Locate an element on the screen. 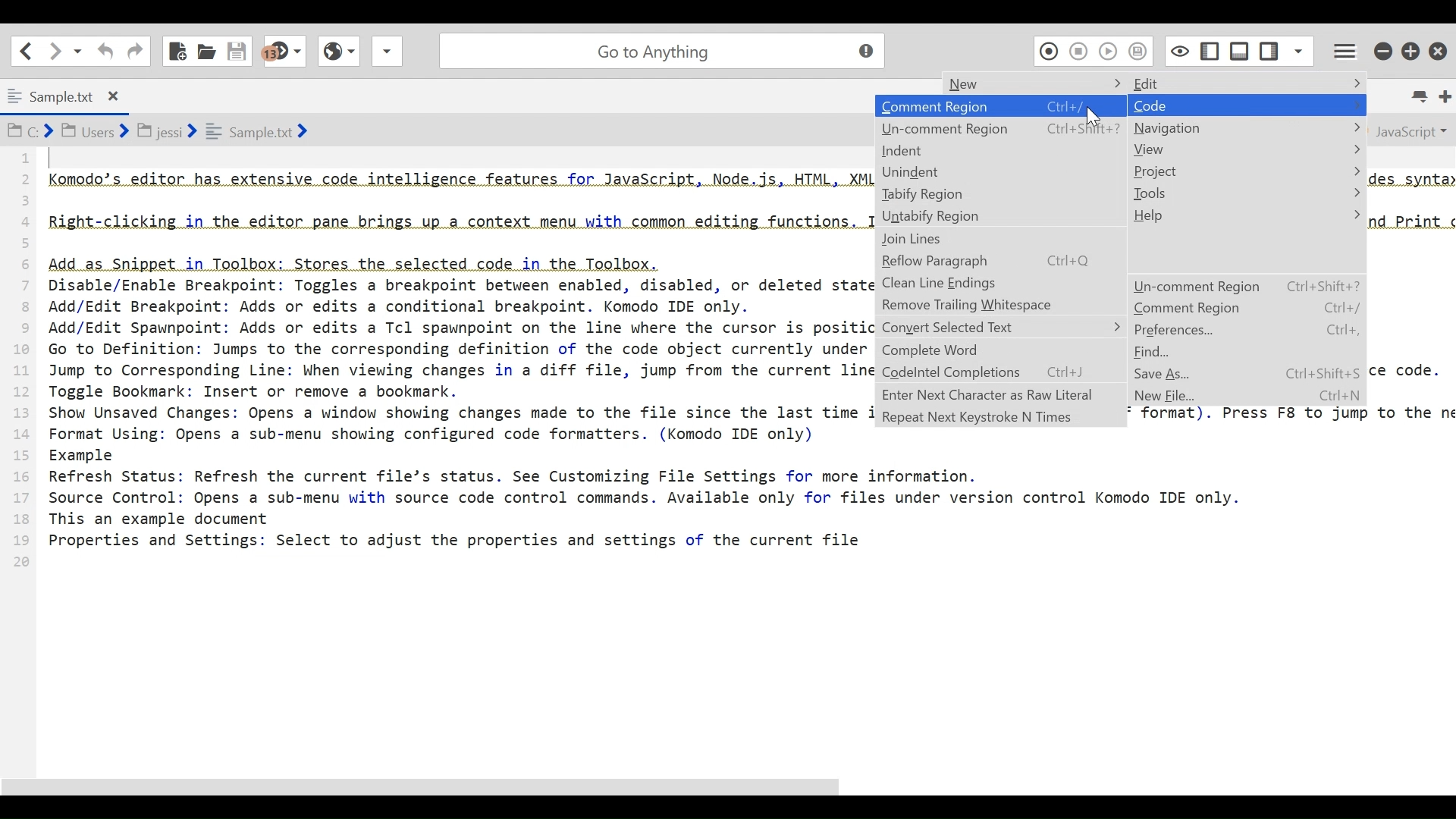 The image size is (1456, 819). Cursor is located at coordinates (1097, 119).